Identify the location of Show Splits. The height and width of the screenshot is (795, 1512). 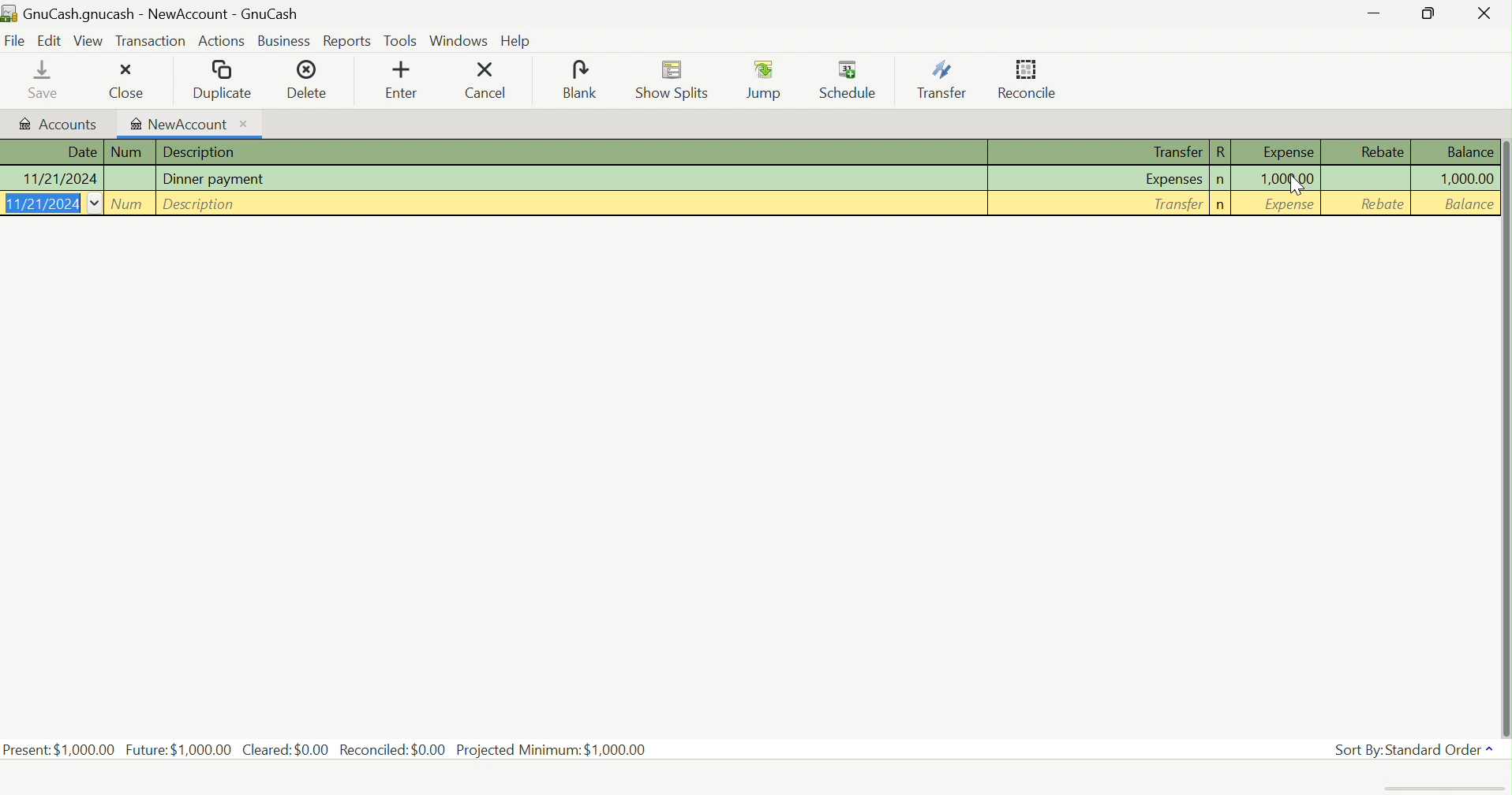
(673, 80).